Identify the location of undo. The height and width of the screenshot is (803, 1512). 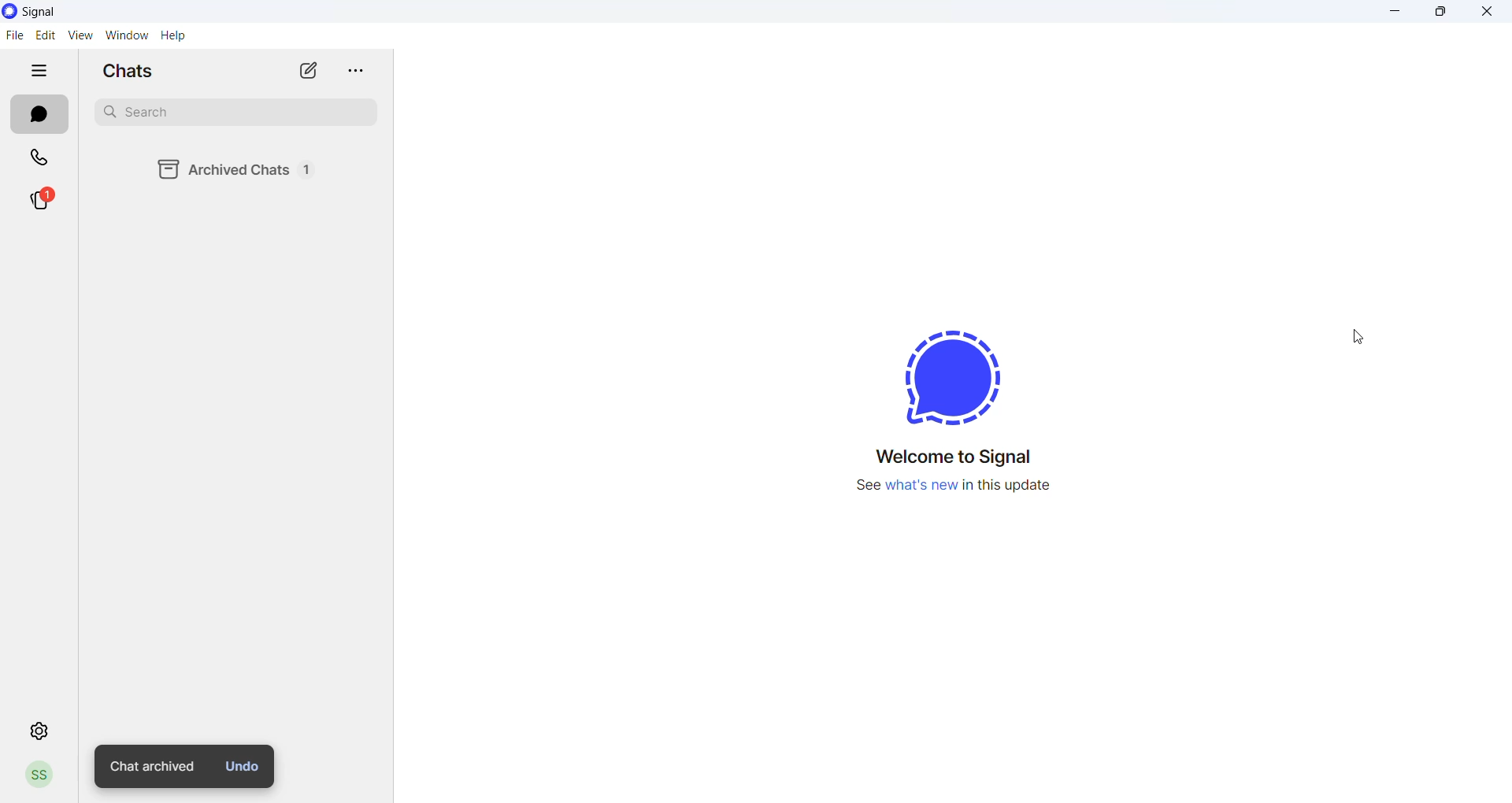
(243, 766).